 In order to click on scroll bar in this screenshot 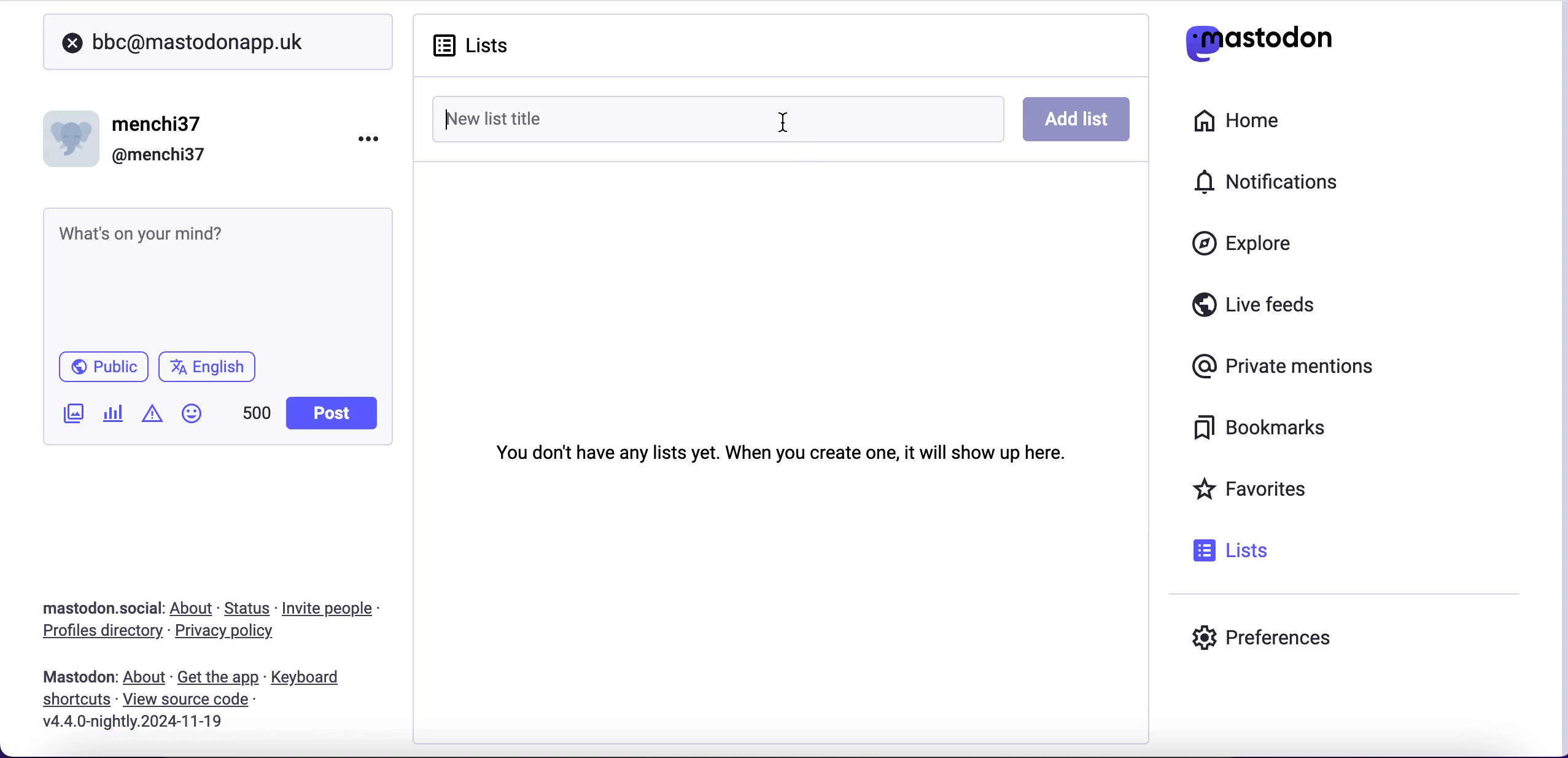, I will do `click(1561, 375)`.